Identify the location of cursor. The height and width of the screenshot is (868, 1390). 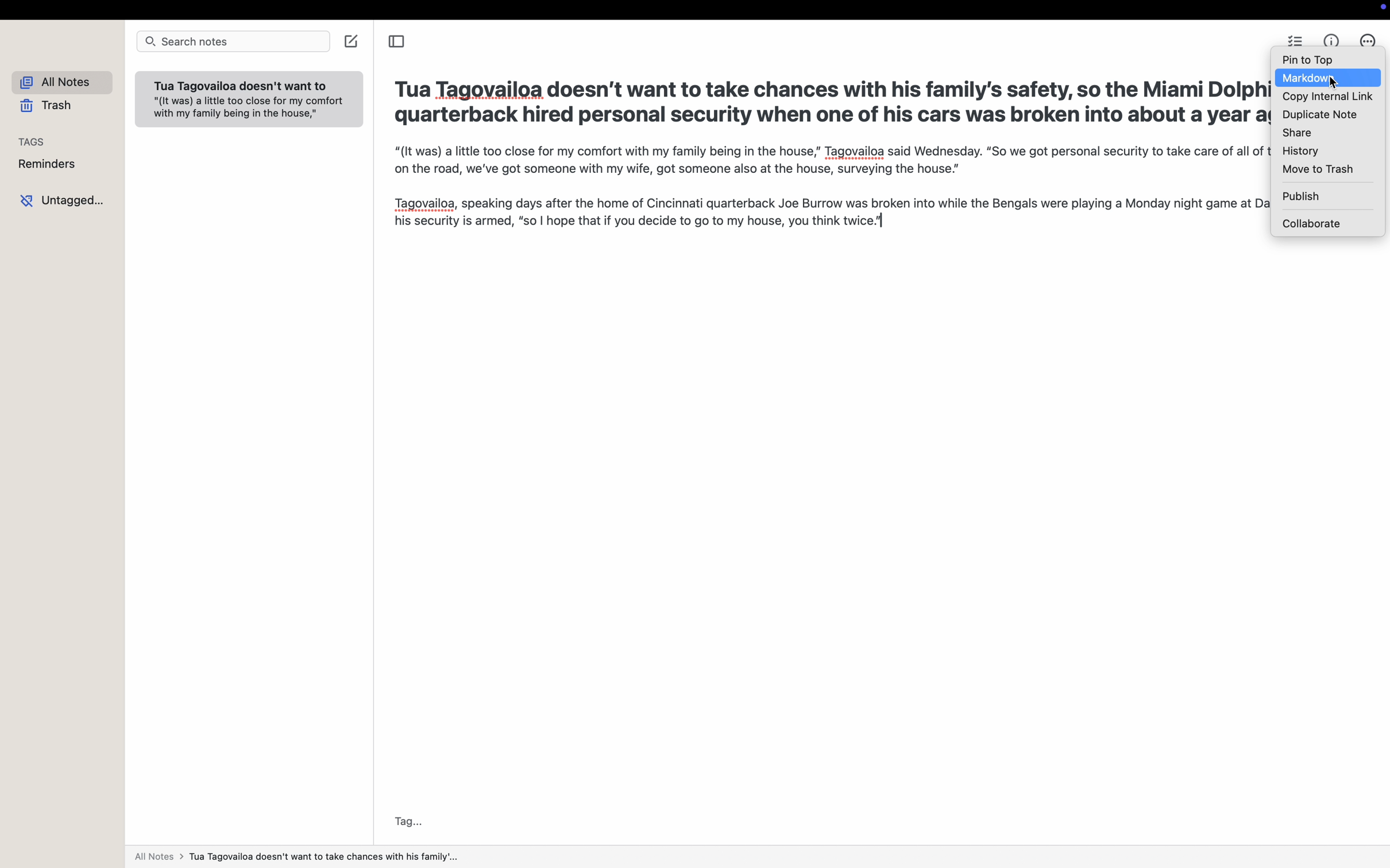
(1339, 82).